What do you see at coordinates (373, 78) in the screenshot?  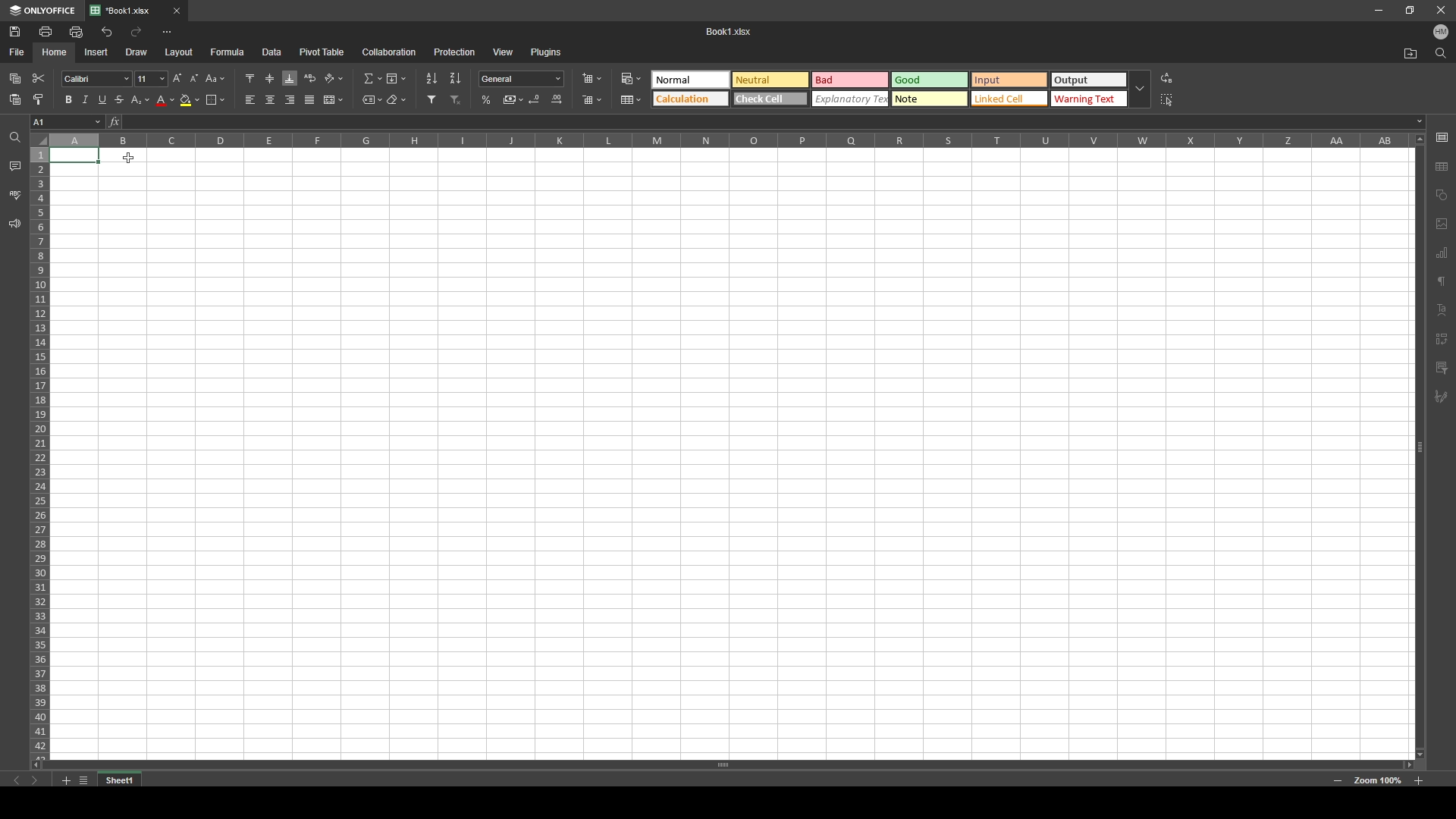 I see `summation` at bounding box center [373, 78].